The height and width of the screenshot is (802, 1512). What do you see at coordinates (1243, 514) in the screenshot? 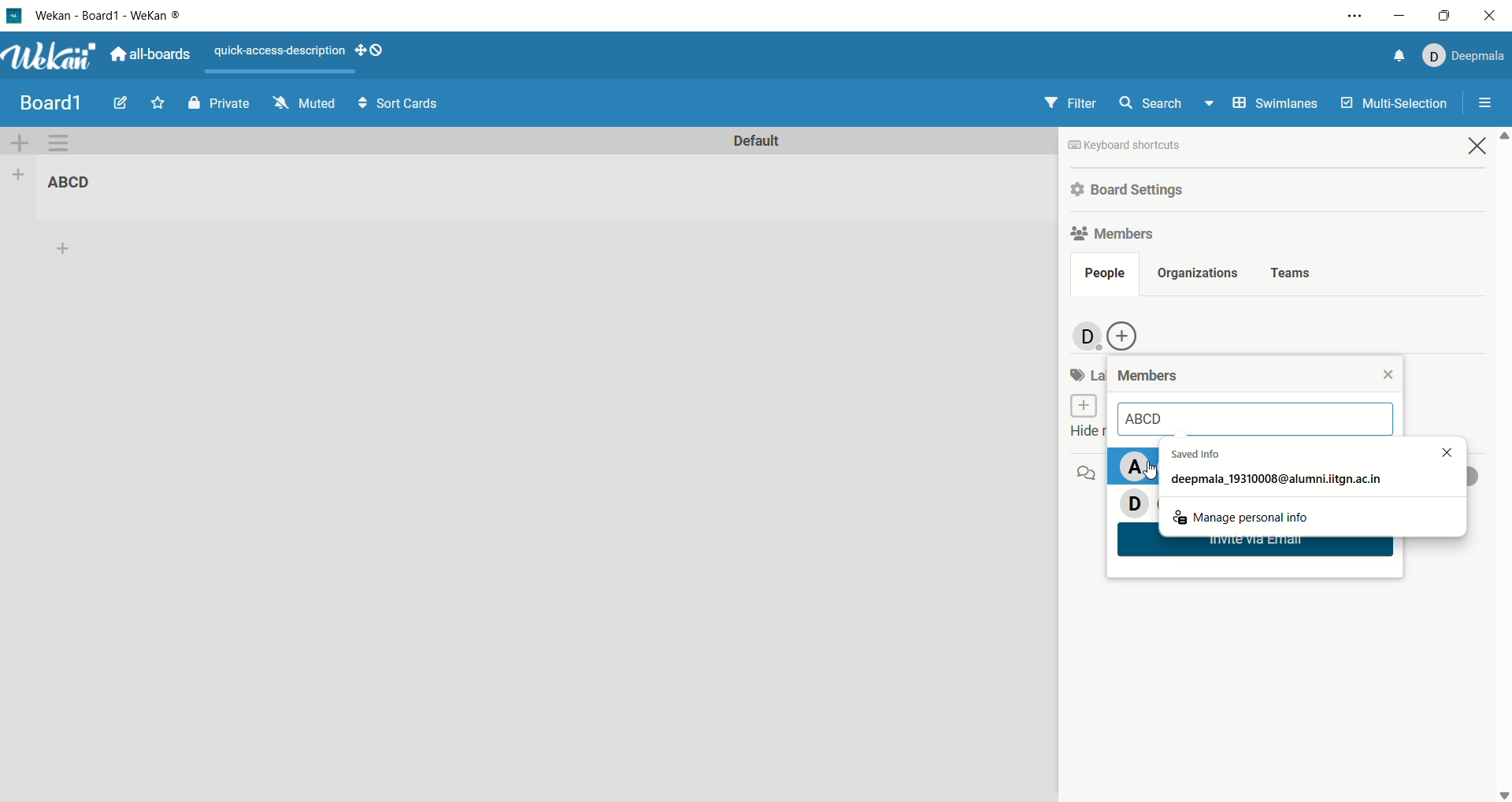
I see `manage personal info` at bounding box center [1243, 514].